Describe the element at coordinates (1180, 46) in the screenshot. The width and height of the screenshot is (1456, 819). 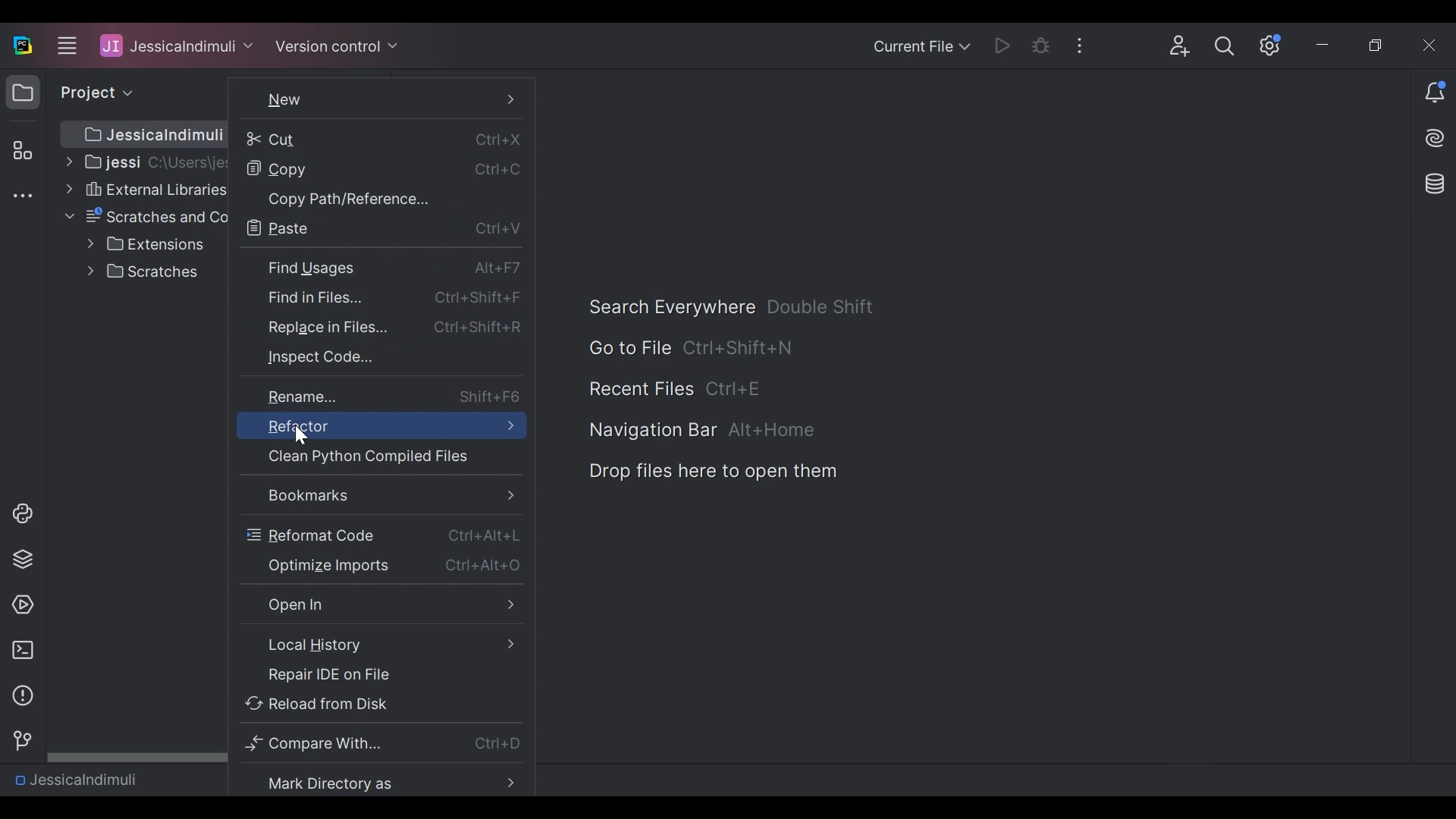
I see `Code with Me` at that location.